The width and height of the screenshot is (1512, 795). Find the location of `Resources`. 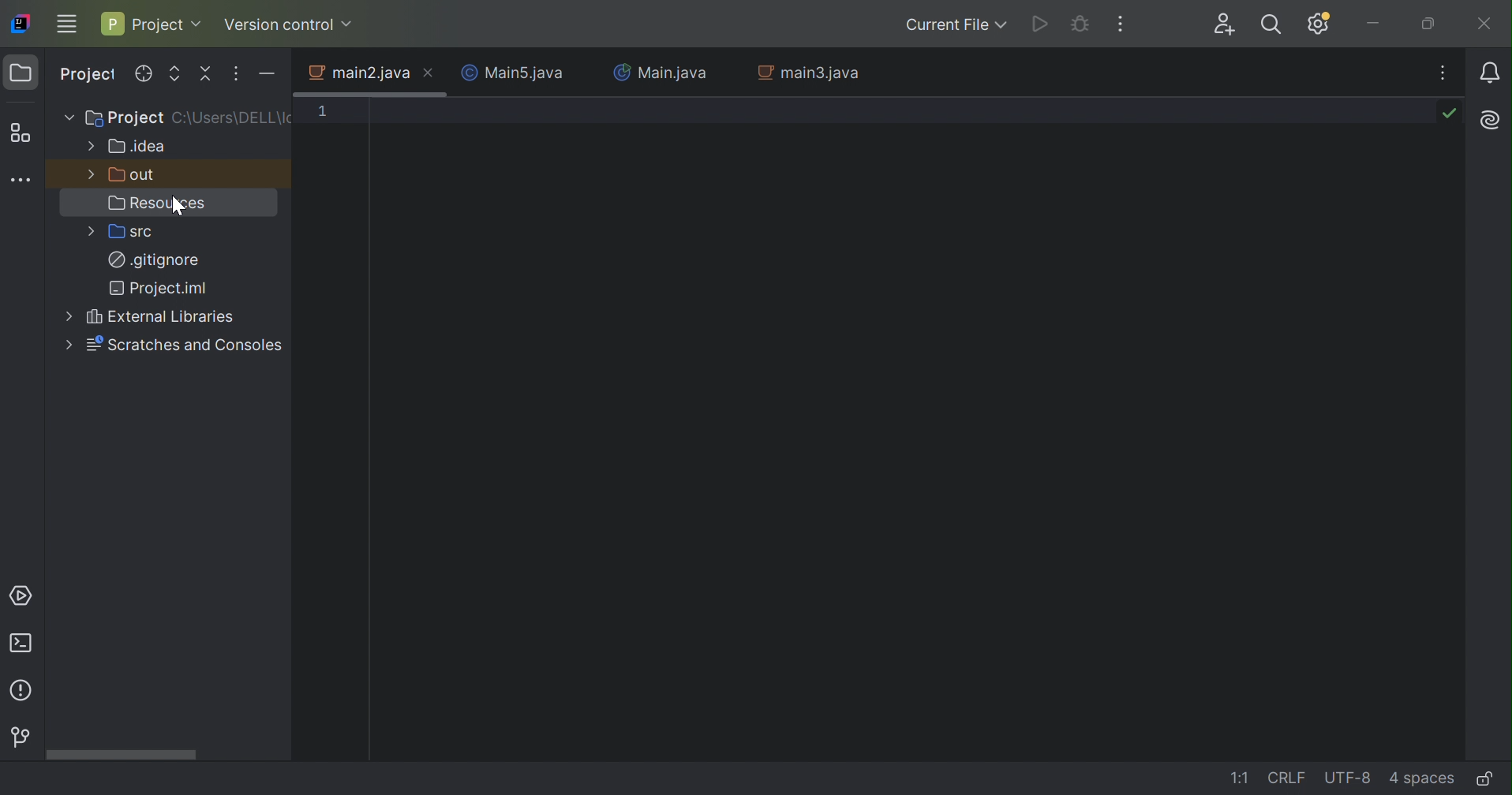

Resources is located at coordinates (160, 203).